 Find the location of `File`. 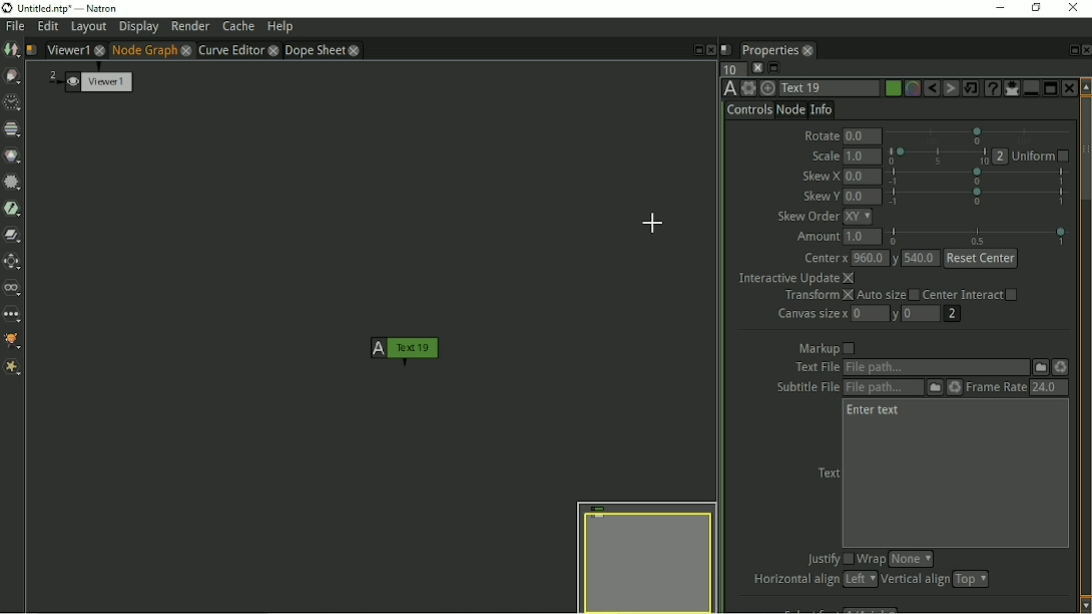

File is located at coordinates (15, 27).